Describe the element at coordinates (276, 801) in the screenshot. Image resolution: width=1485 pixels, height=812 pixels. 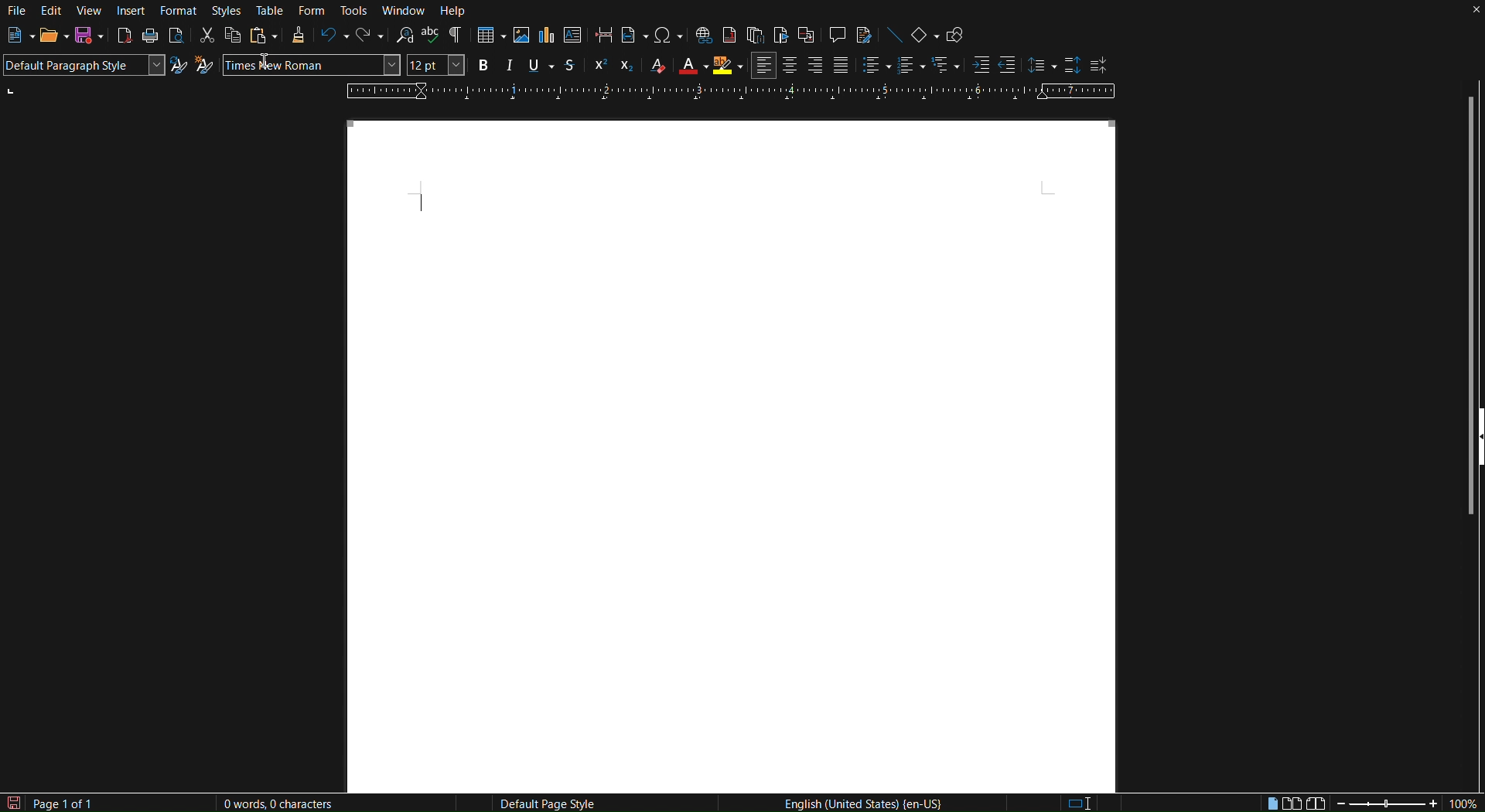
I see `0 Words, 0 Characters` at that location.